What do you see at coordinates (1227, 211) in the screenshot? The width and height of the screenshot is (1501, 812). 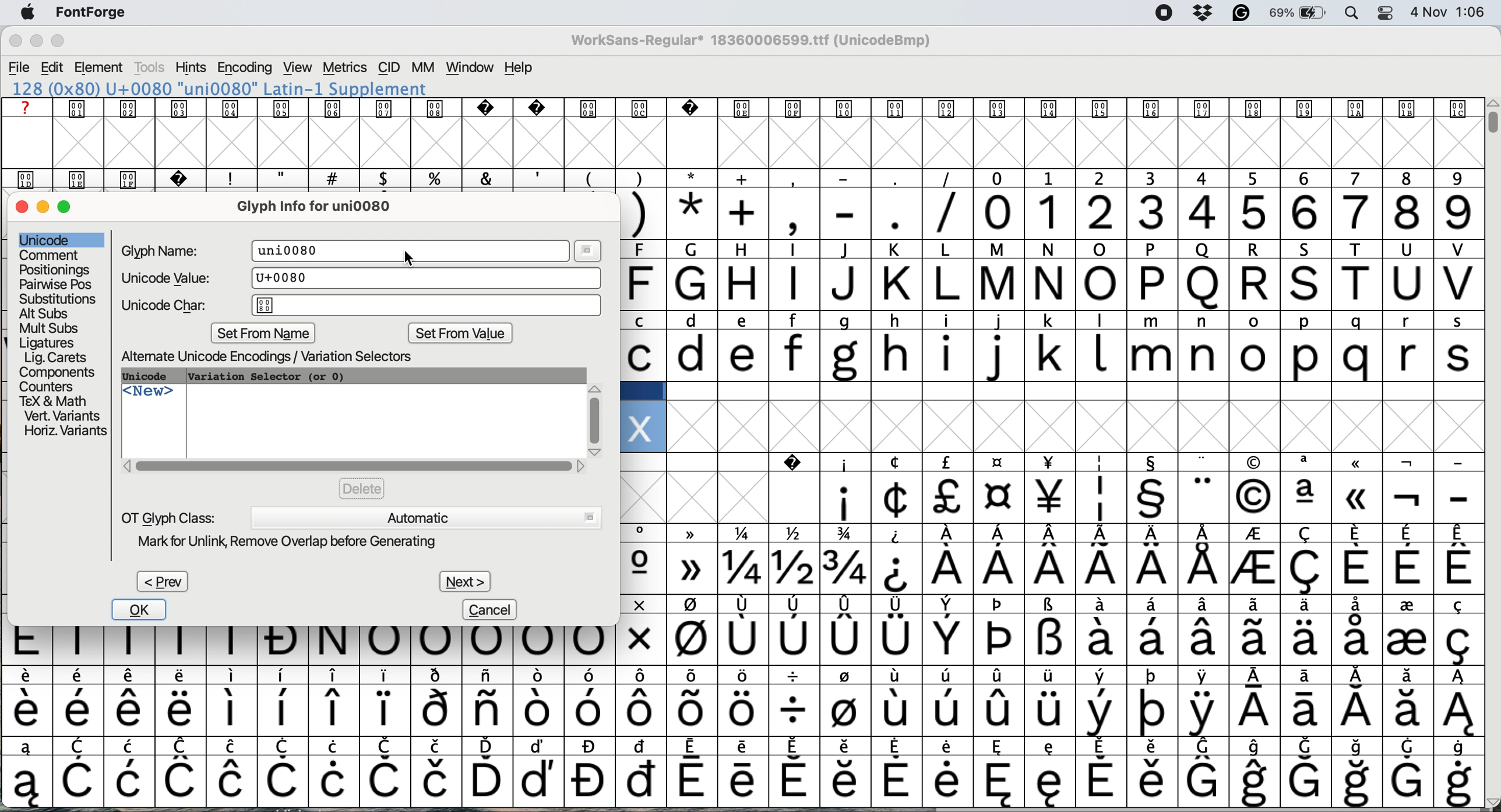 I see `numbers` at bounding box center [1227, 211].